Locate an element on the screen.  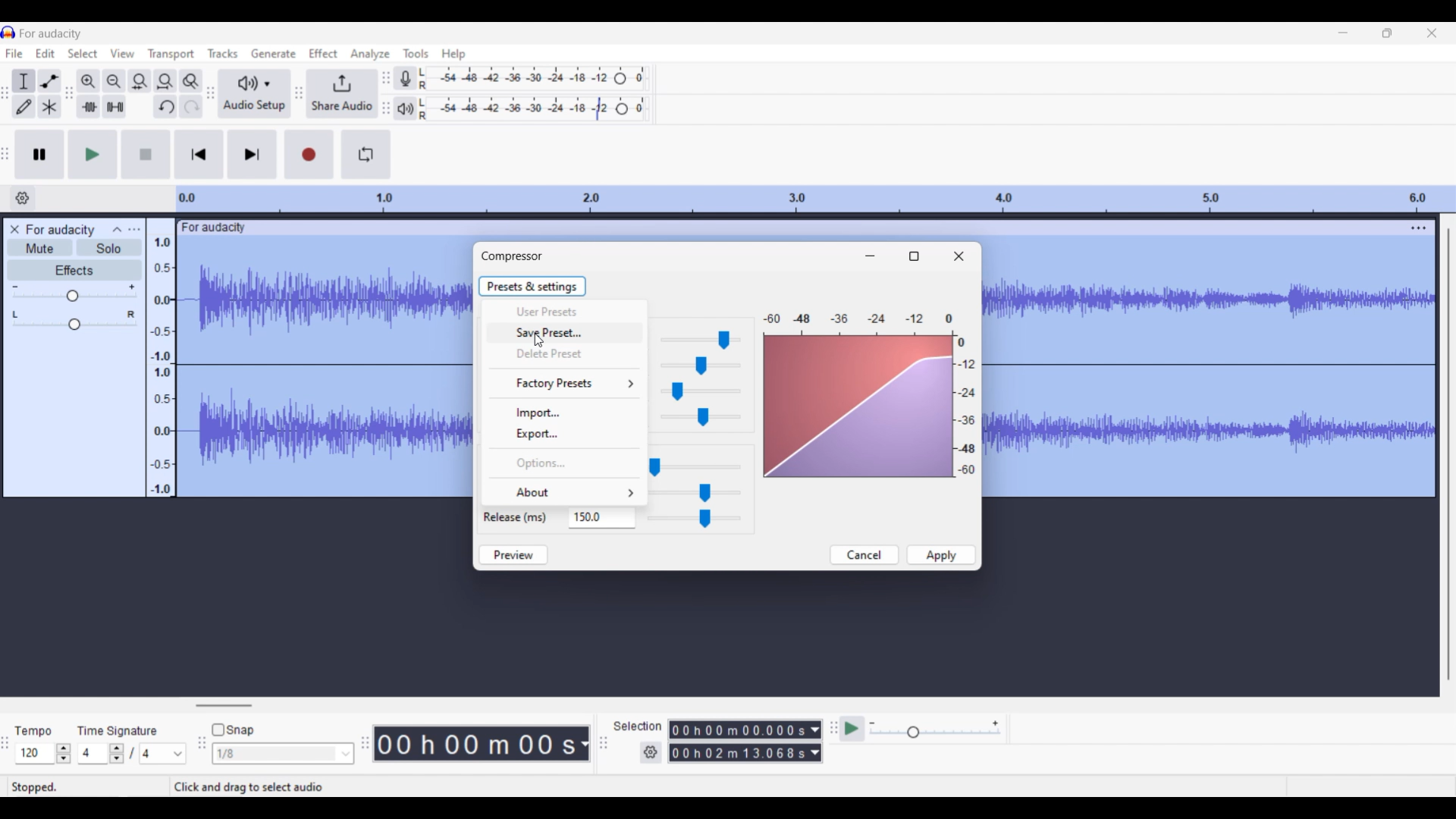
Scale to measure sound intensity is located at coordinates (162, 366).